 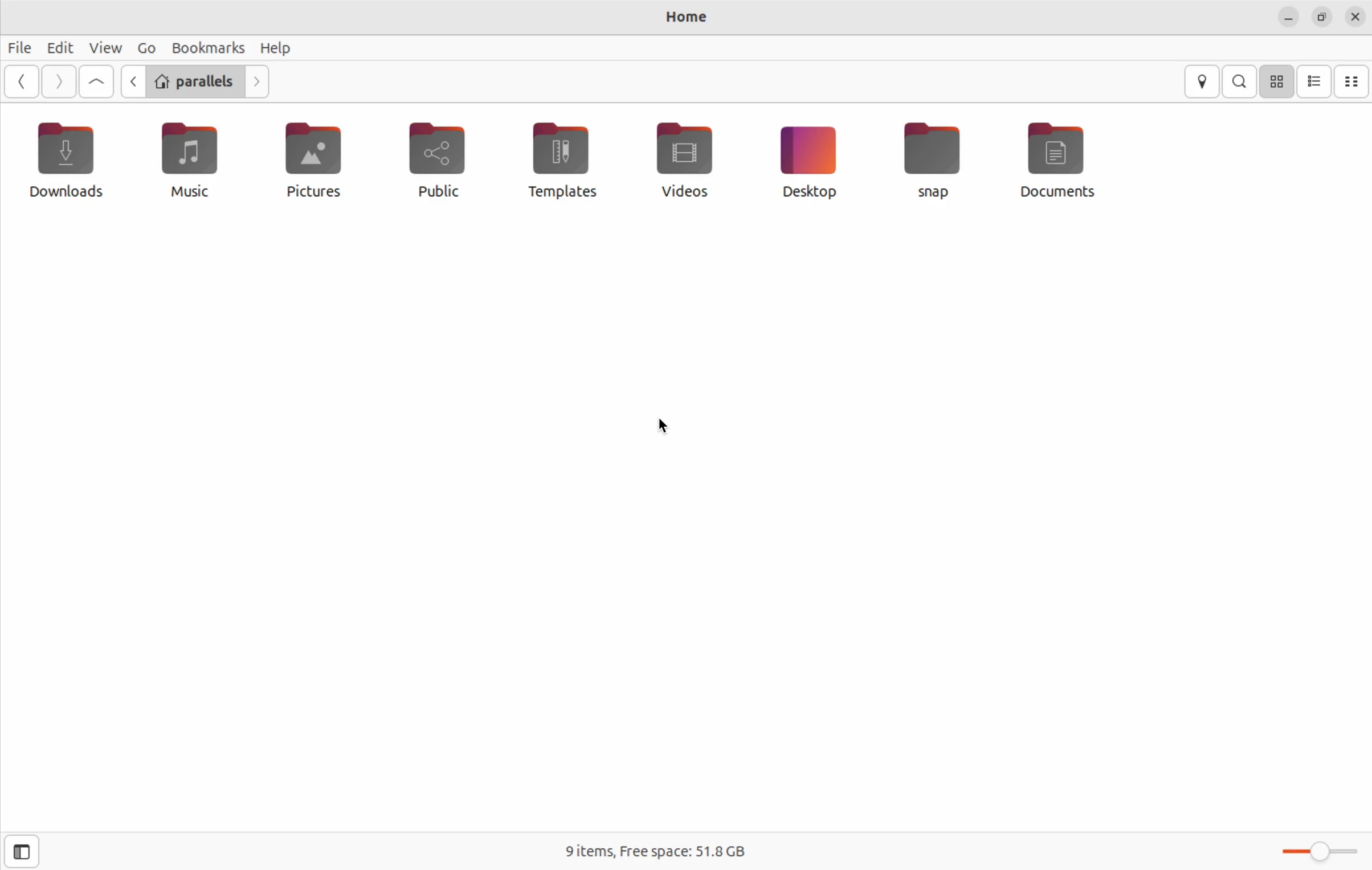 What do you see at coordinates (66, 161) in the screenshot?
I see `Downloads` at bounding box center [66, 161].